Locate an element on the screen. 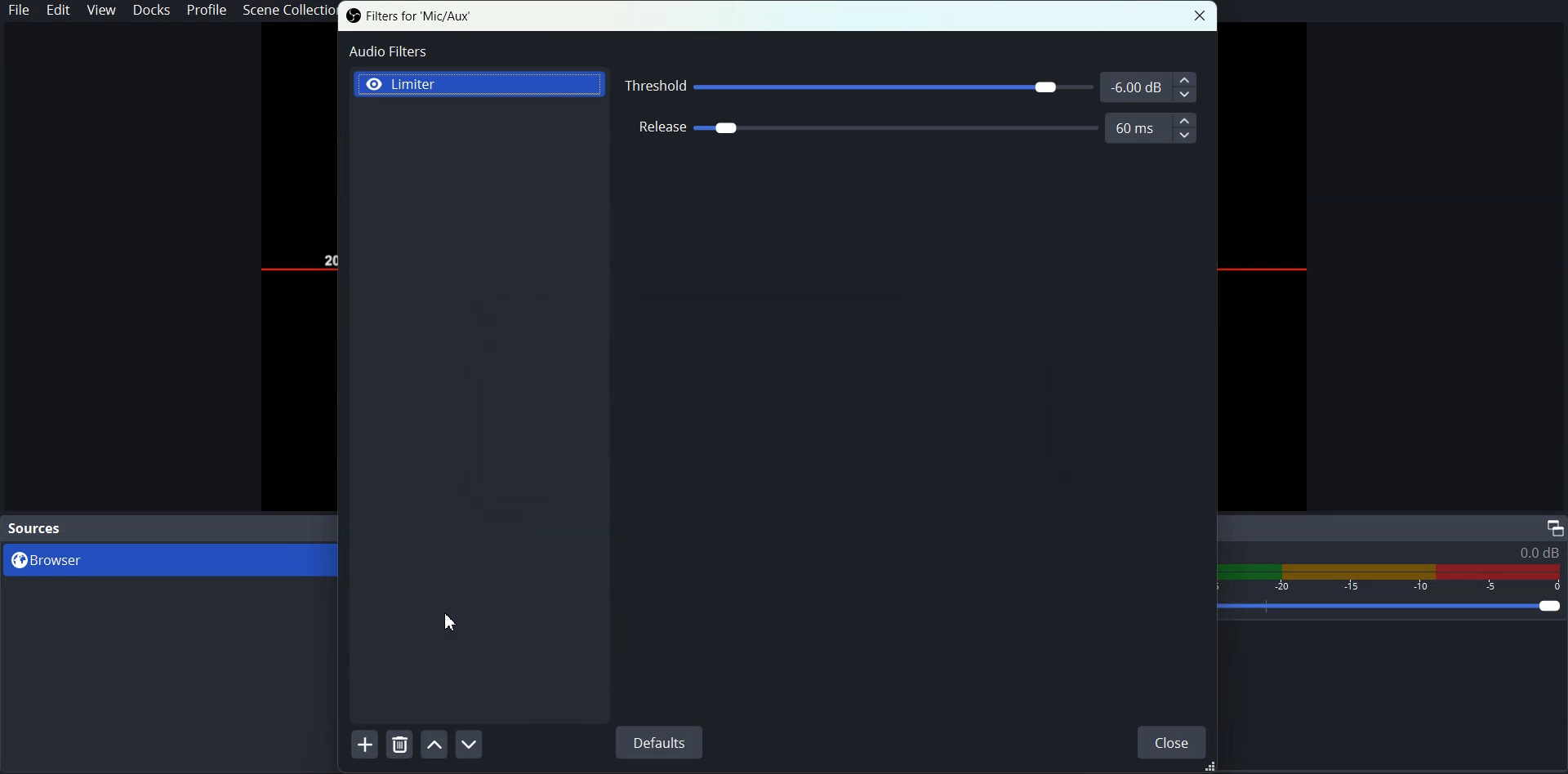 The image size is (1568, 774).  ms is located at coordinates (1136, 128).